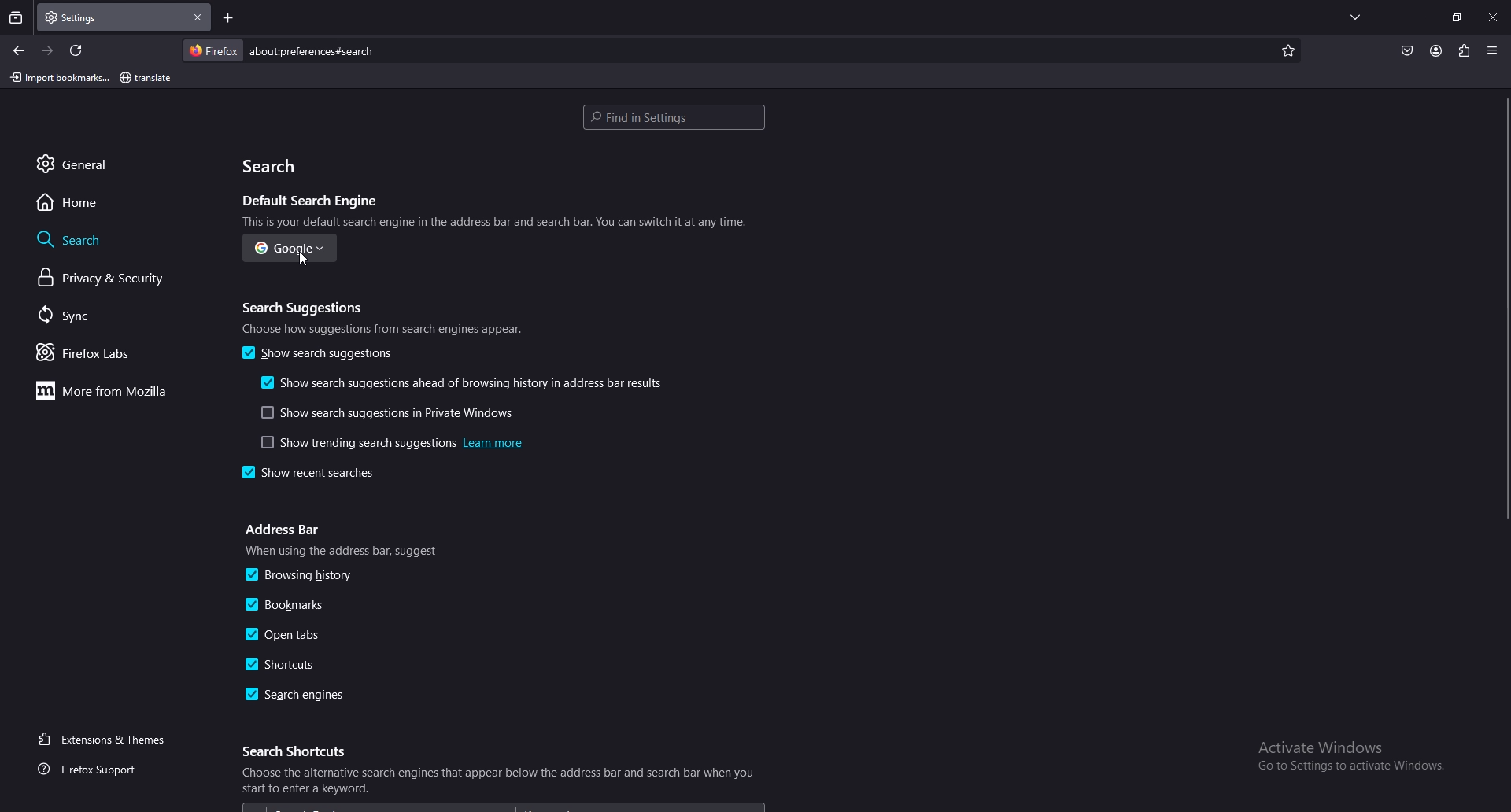  I want to click on back, so click(20, 51).